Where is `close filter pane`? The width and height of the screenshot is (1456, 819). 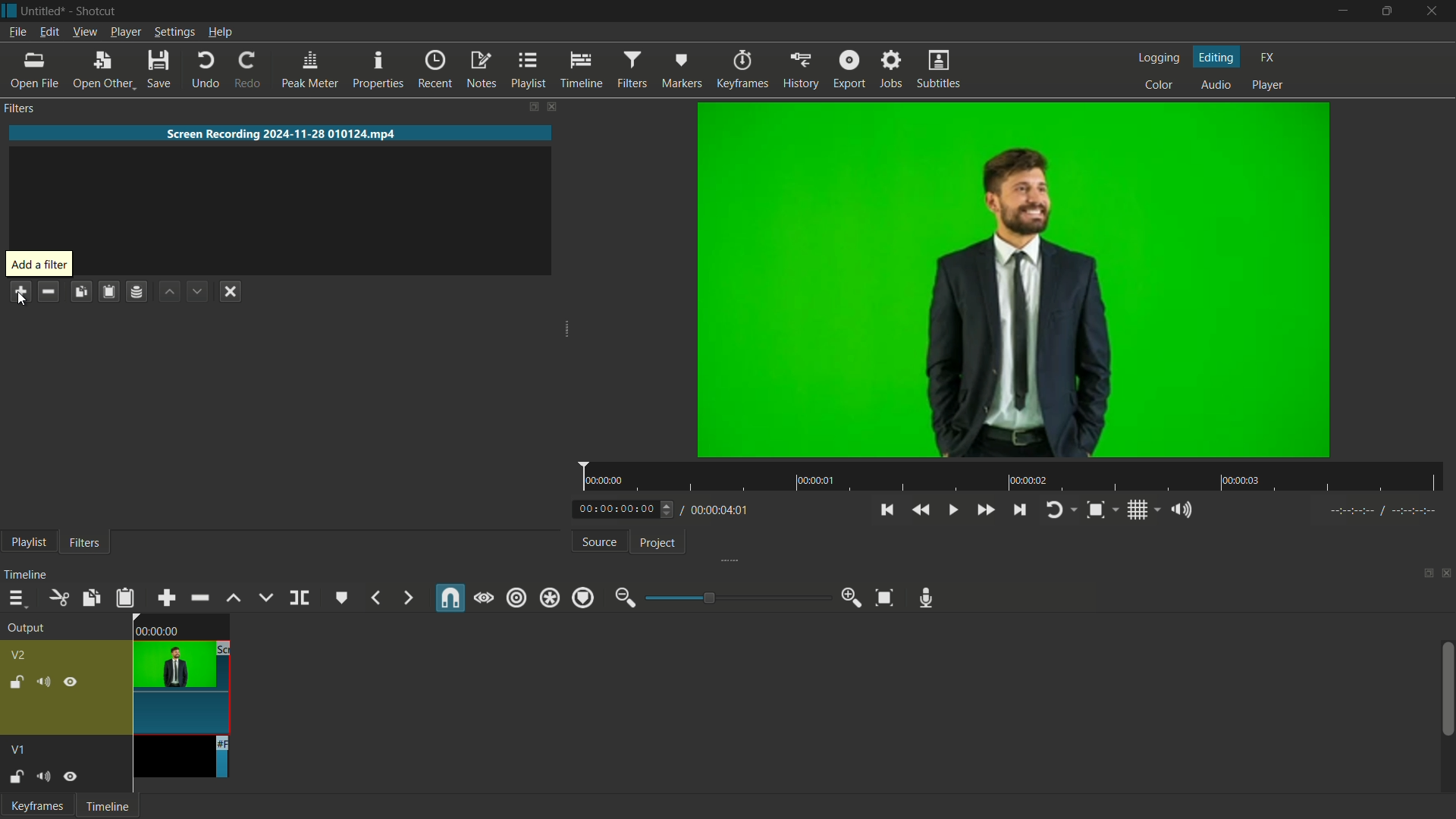
close filter pane is located at coordinates (556, 108).